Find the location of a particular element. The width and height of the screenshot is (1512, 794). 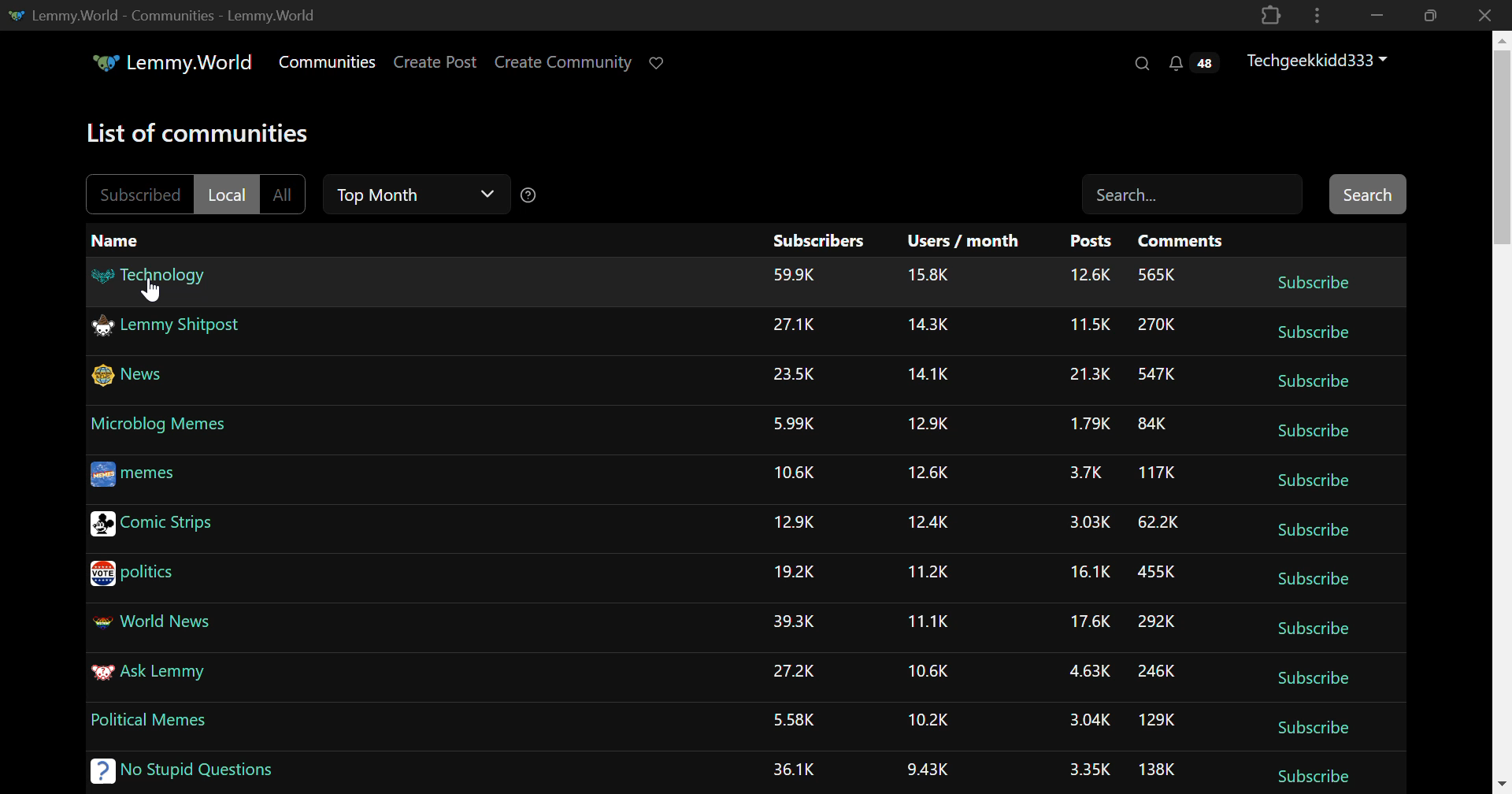

Minimize Window is located at coordinates (1427, 15).